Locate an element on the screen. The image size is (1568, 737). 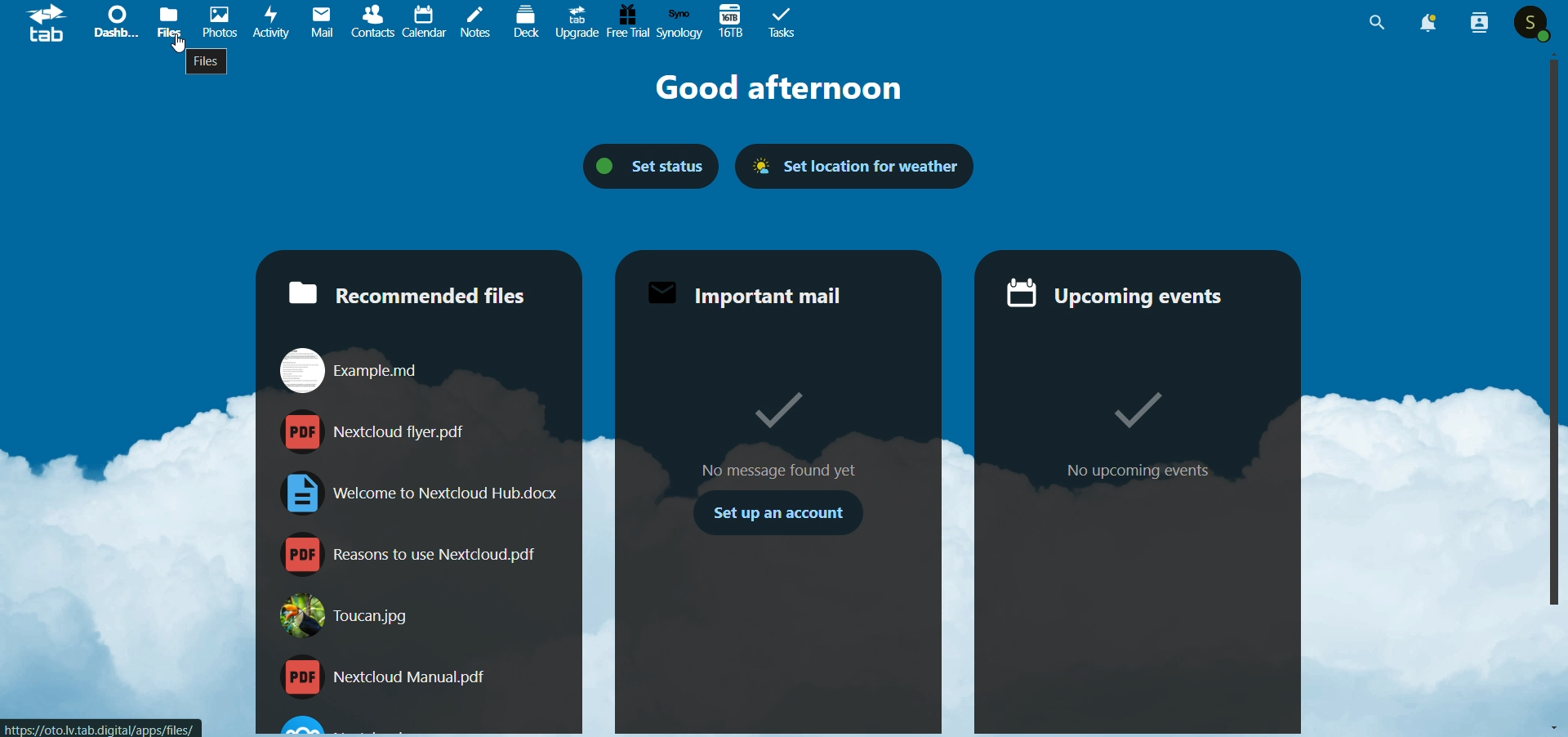
search is located at coordinates (1380, 24).